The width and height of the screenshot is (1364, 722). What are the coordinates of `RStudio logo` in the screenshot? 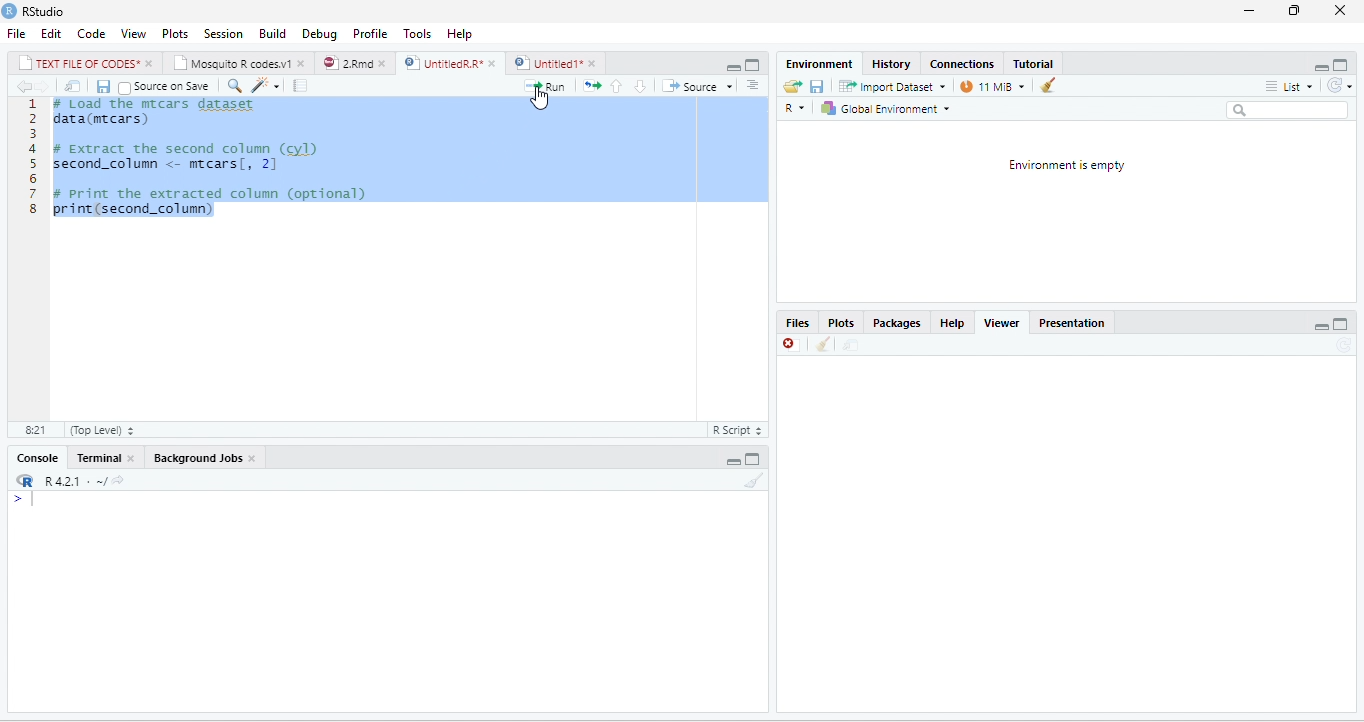 It's located at (9, 11).